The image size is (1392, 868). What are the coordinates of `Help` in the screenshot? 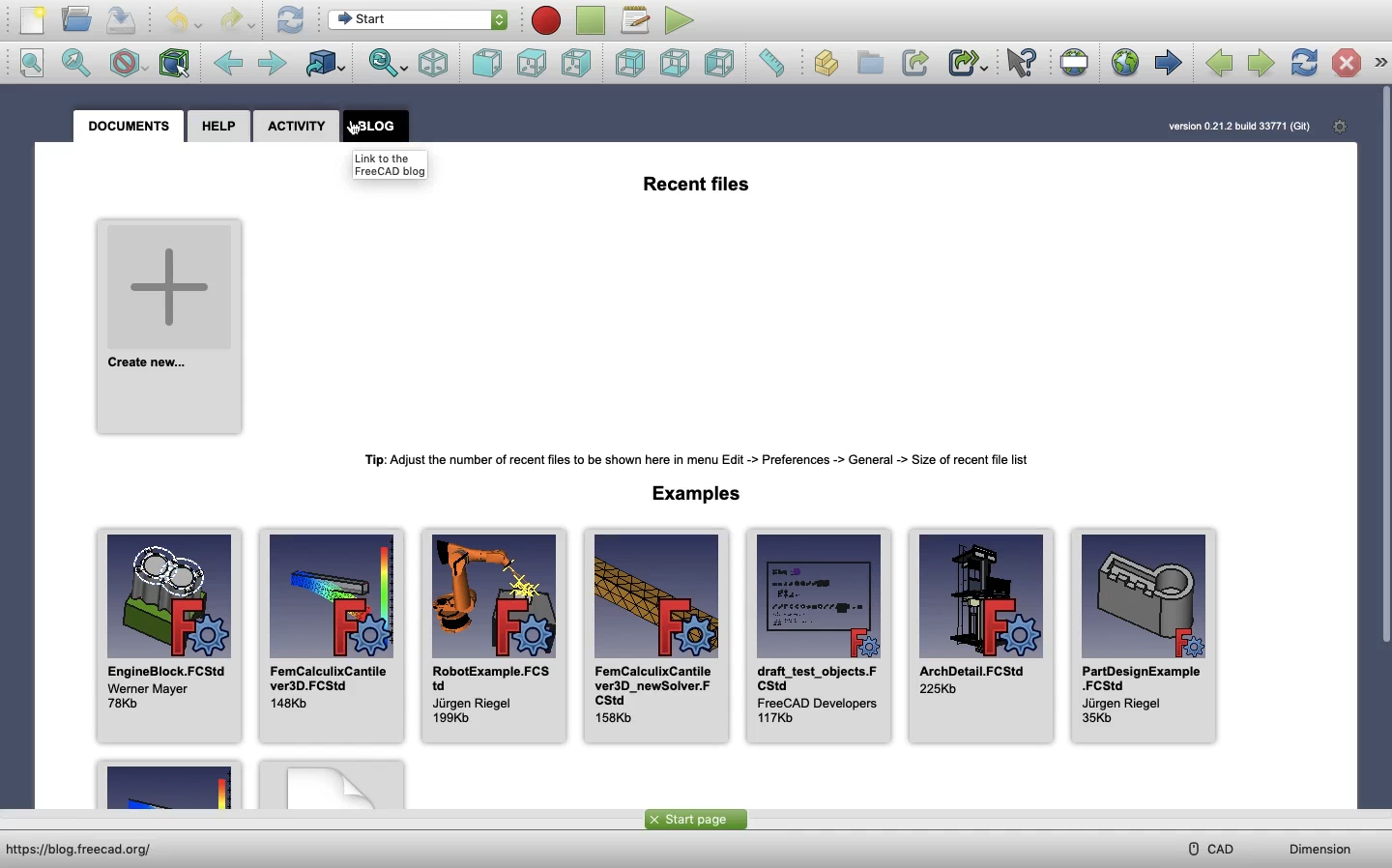 It's located at (219, 128).